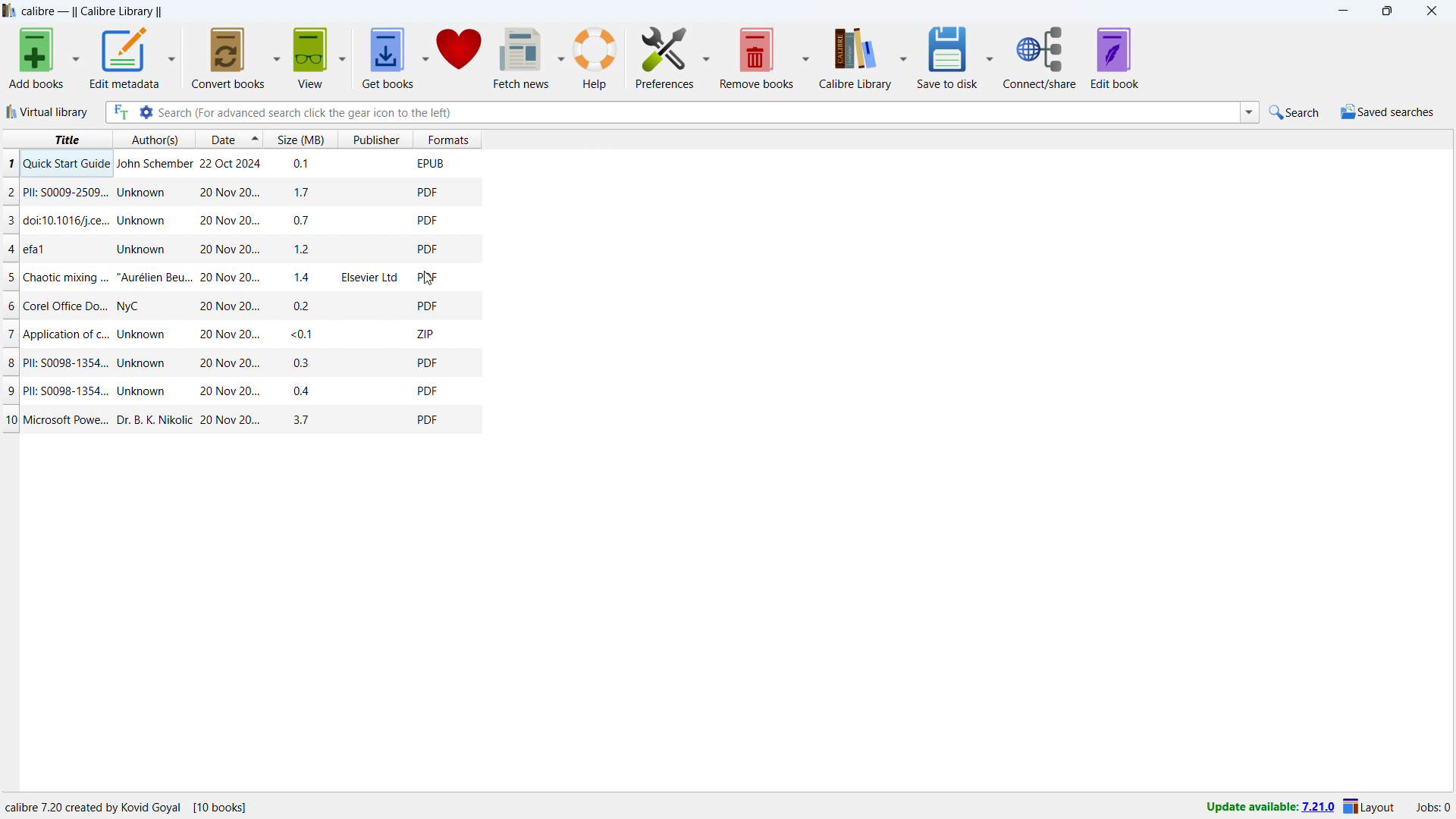  I want to click on 4 efal Unknown 20 Nov 20... 1.2 POF, so click(267, 248).